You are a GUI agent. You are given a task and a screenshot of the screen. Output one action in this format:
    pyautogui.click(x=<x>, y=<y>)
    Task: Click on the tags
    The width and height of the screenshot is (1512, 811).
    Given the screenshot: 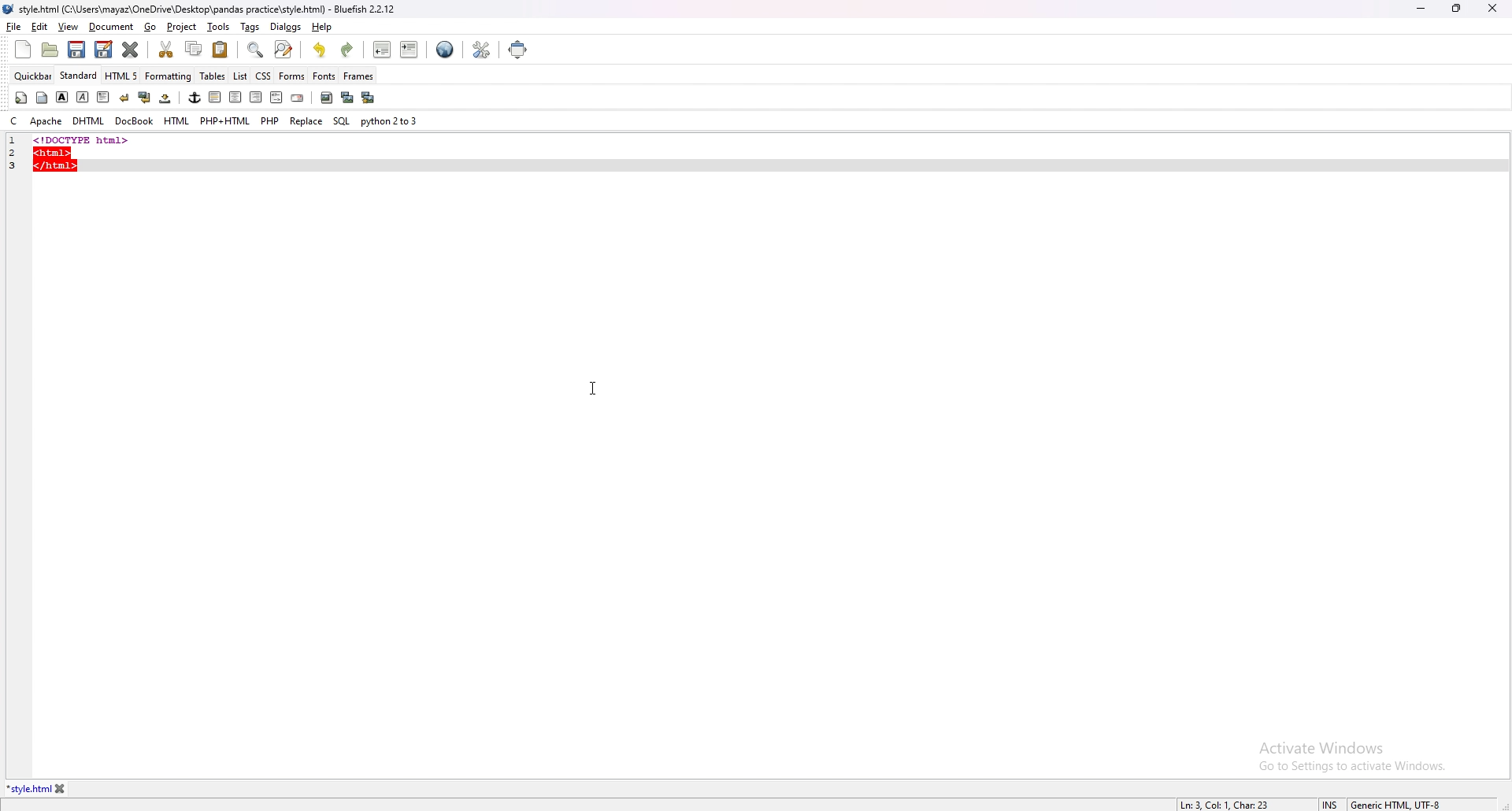 What is the action you would take?
    pyautogui.click(x=251, y=27)
    